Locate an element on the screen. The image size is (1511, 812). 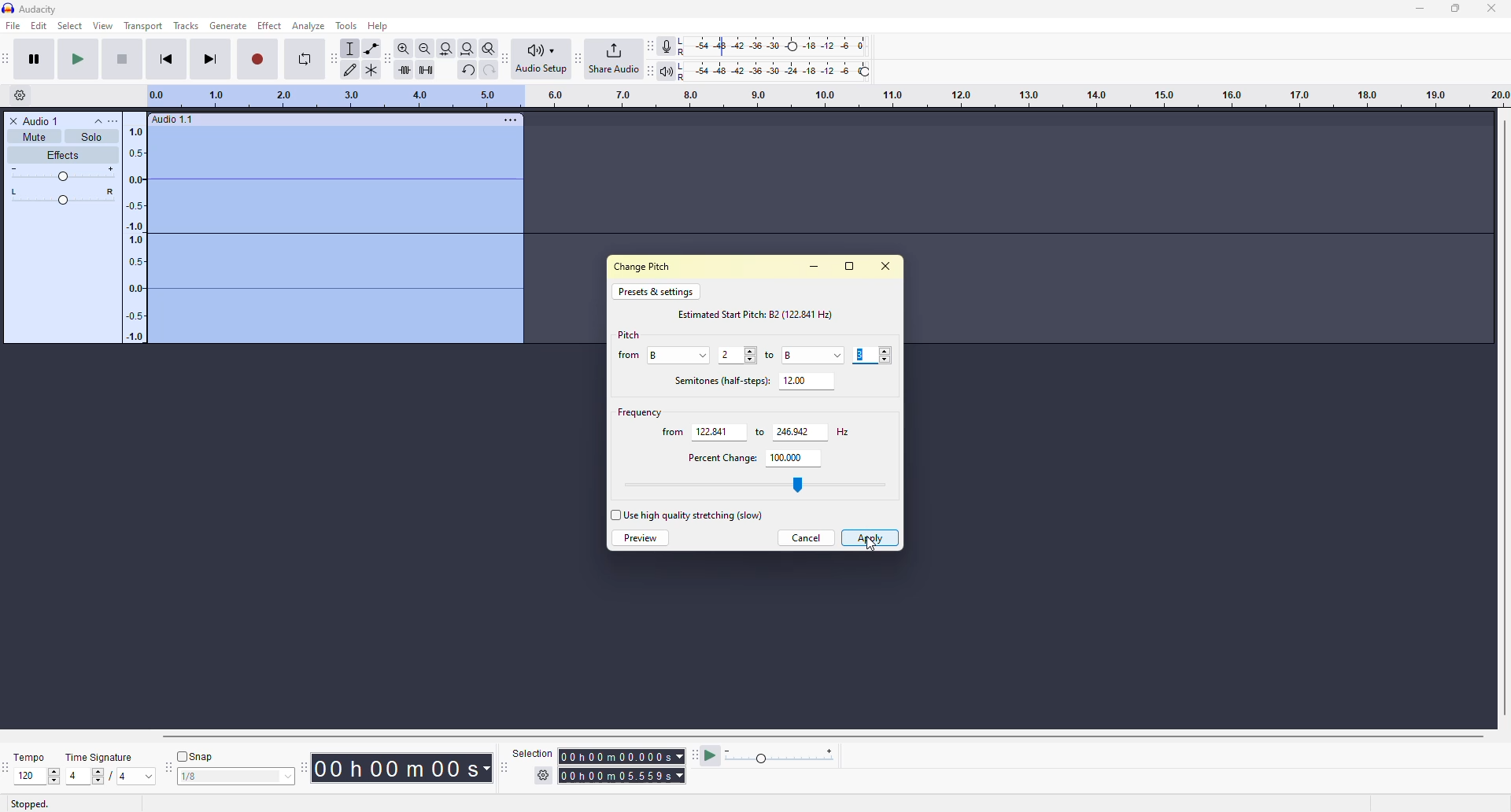
effects is located at coordinates (61, 156).